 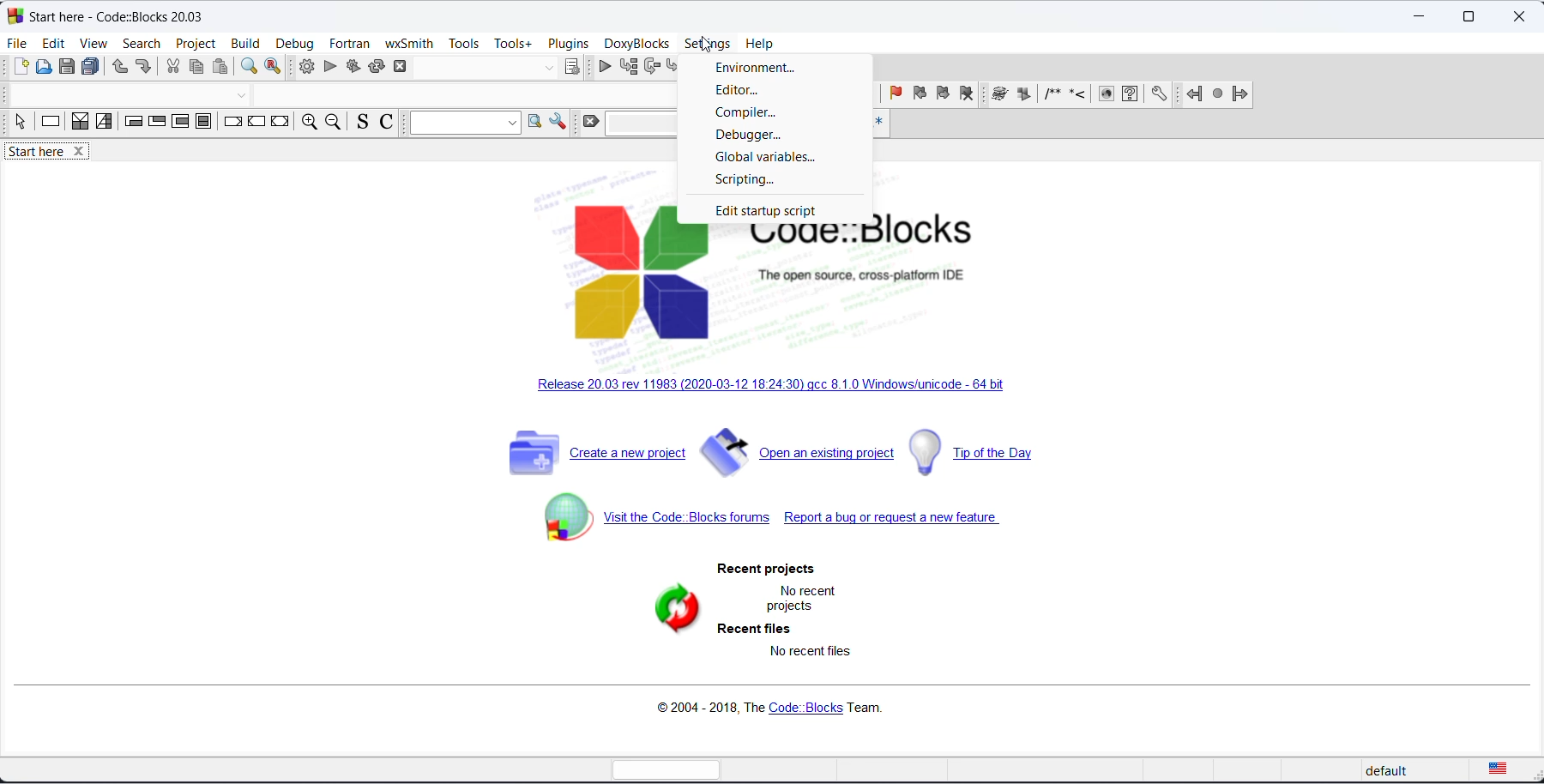 What do you see at coordinates (465, 44) in the screenshot?
I see `tools` at bounding box center [465, 44].